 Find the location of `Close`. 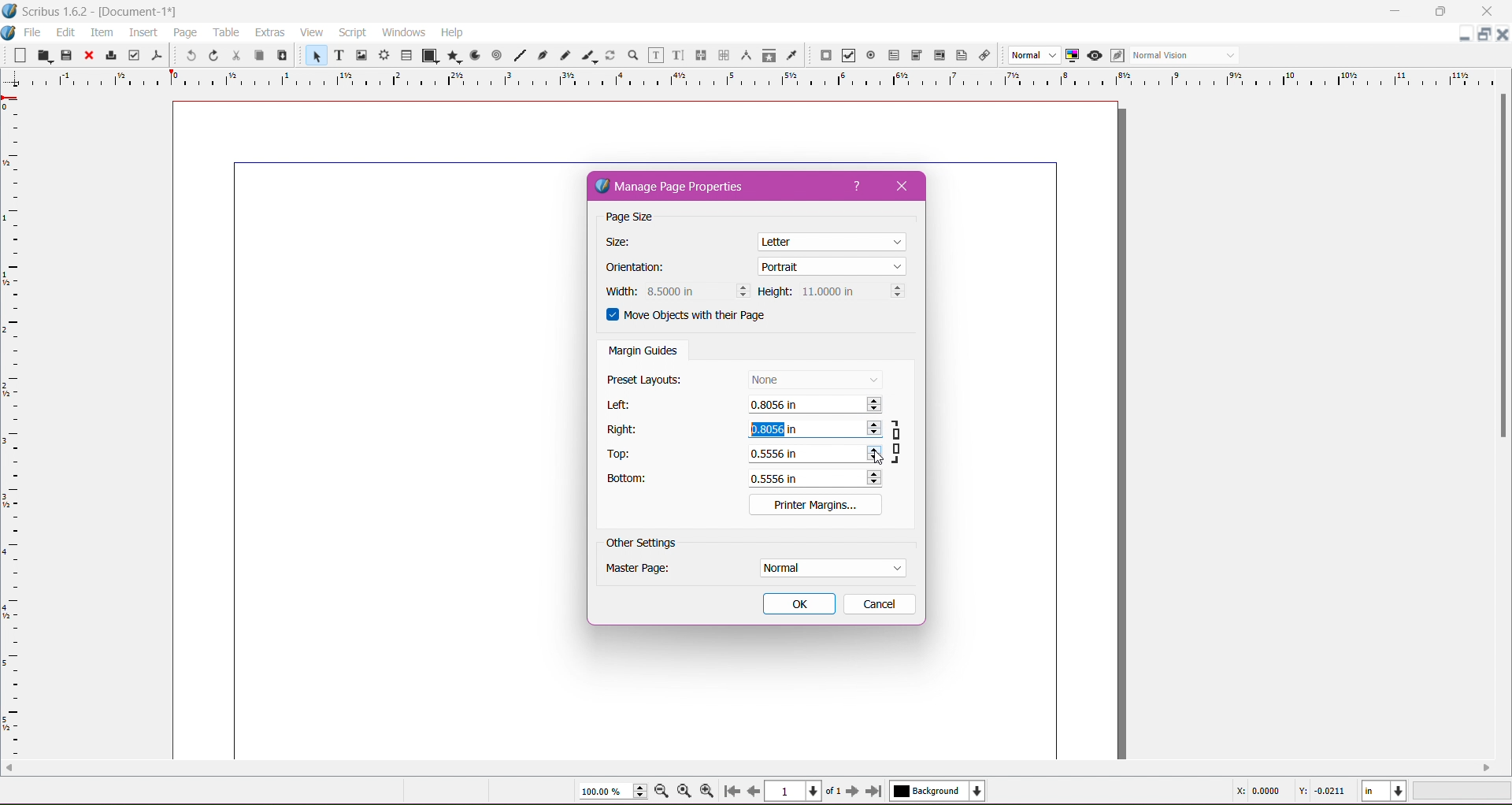

Close is located at coordinates (87, 56).